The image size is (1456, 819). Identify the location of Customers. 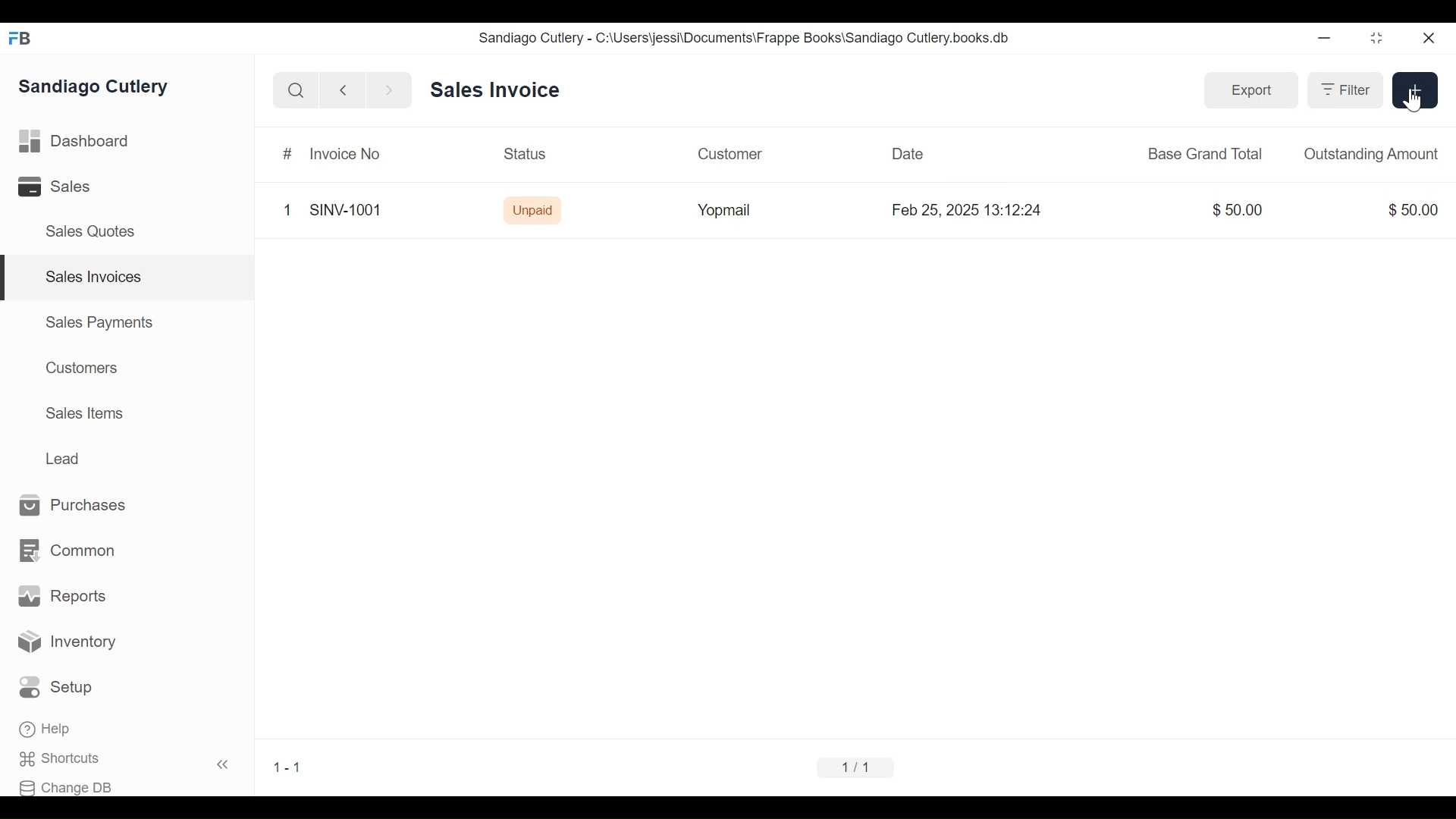
(78, 368).